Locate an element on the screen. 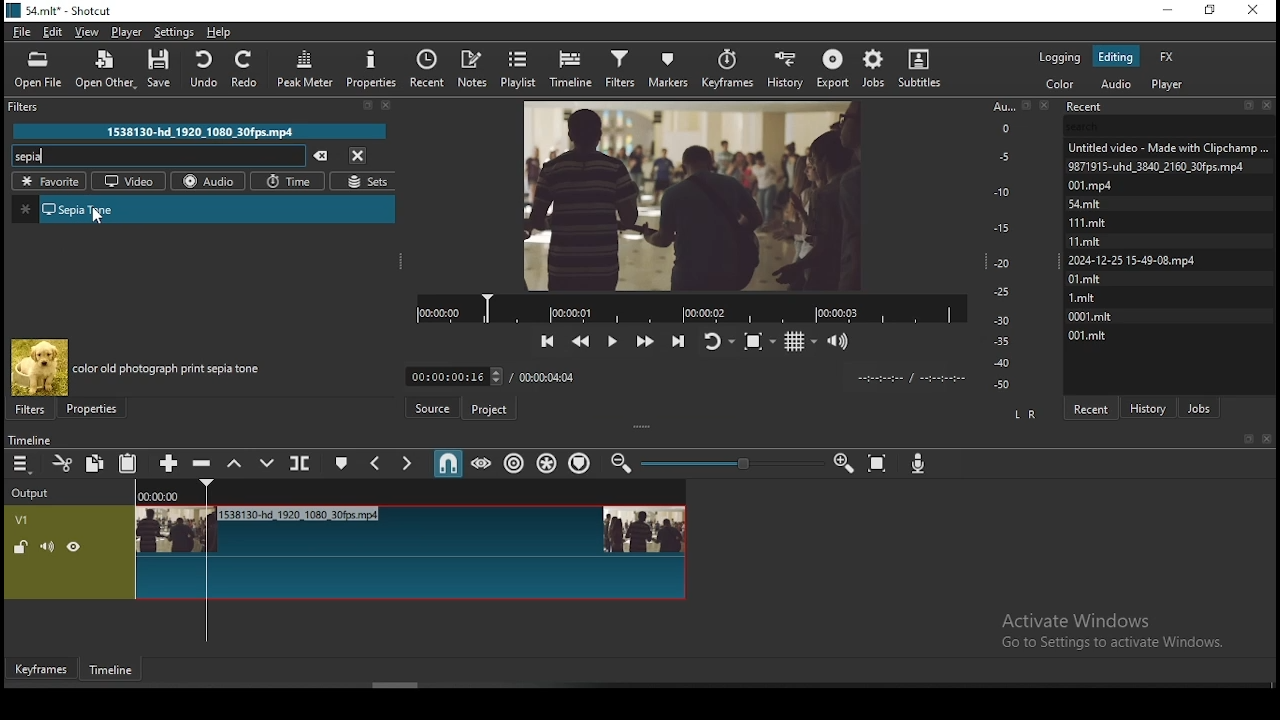  favorites is located at coordinates (49, 182).